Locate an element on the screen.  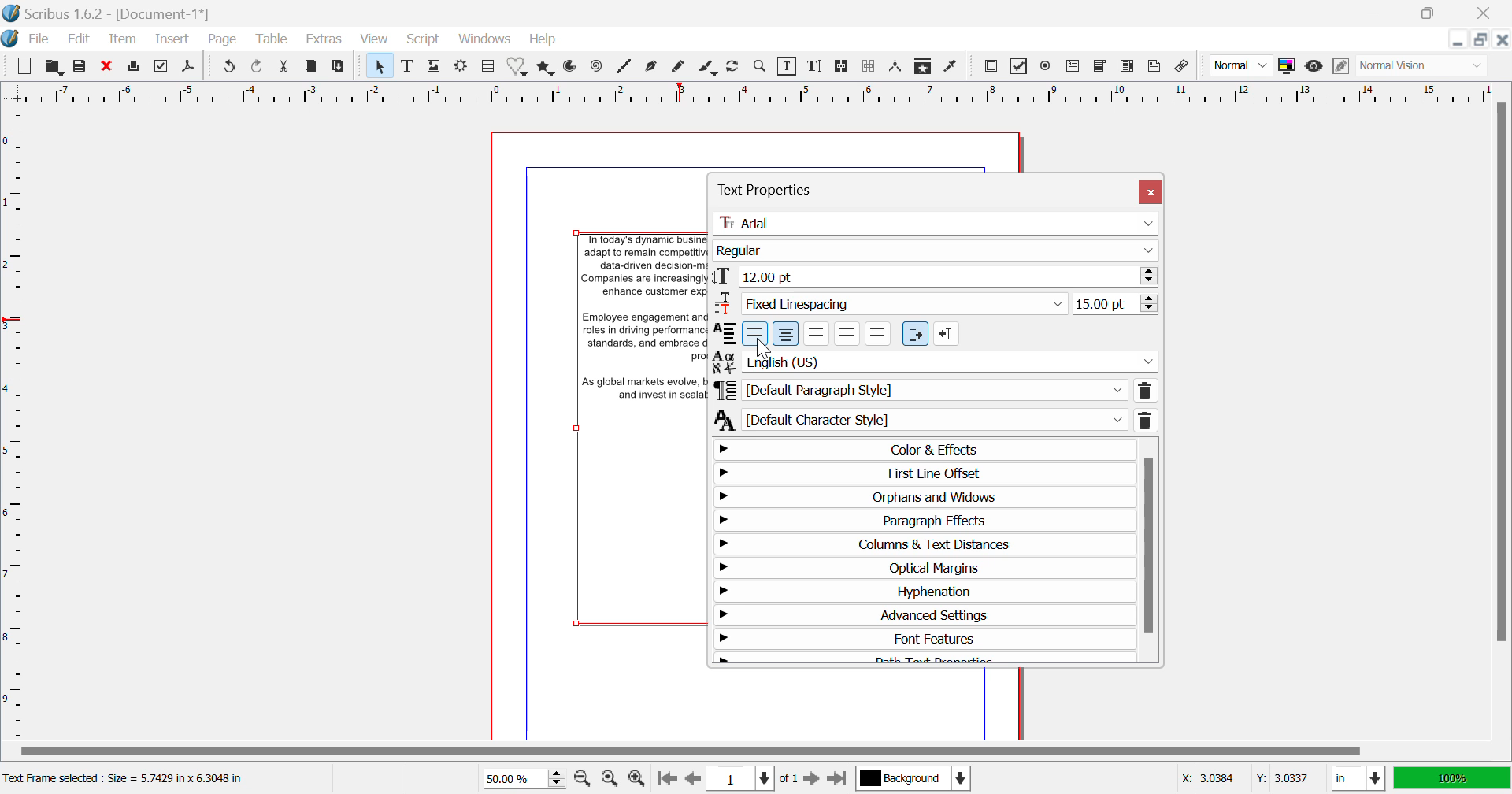
Text Justified is located at coordinates (847, 332).